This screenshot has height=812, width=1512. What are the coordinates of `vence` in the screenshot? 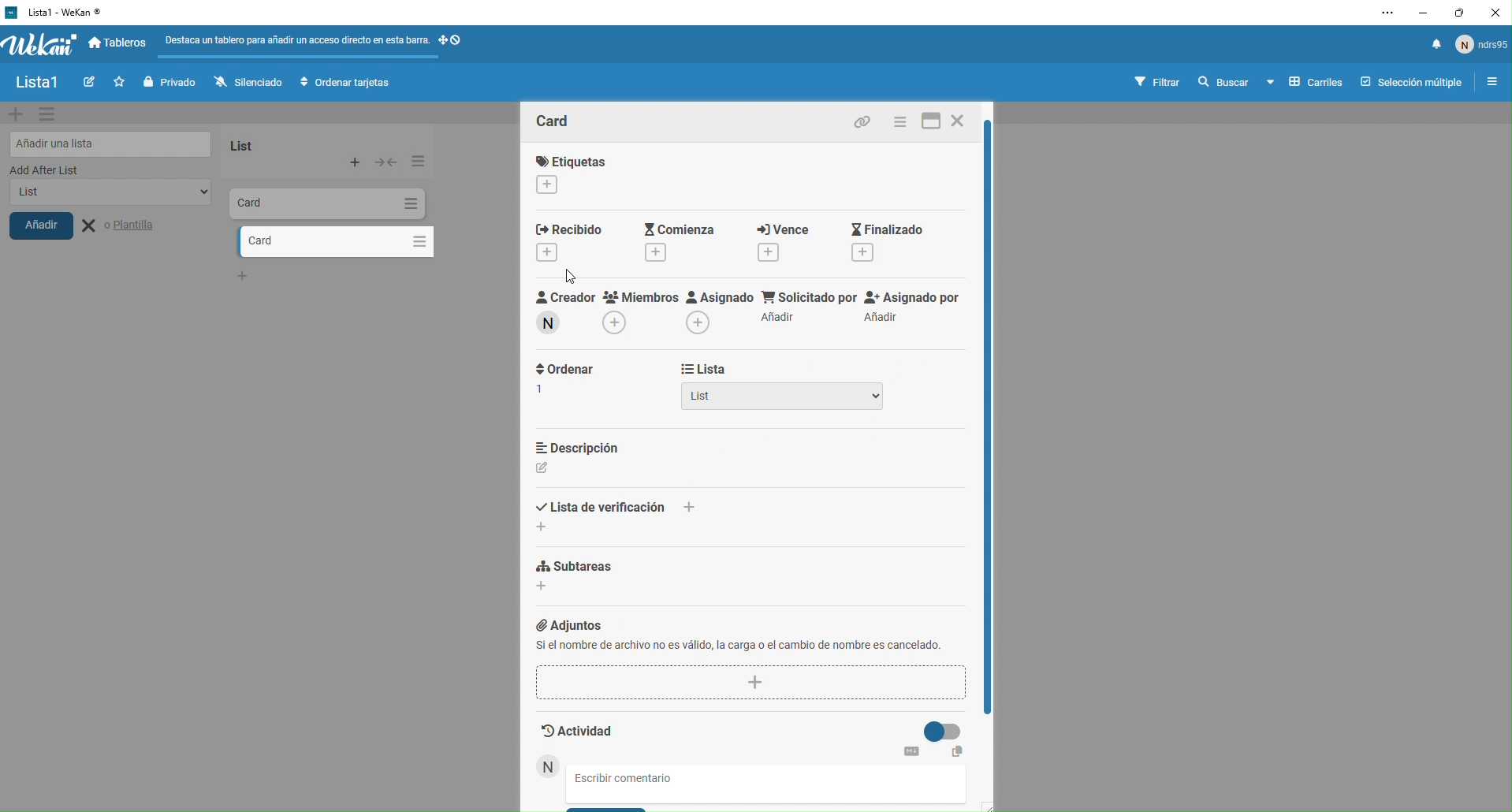 It's located at (779, 241).